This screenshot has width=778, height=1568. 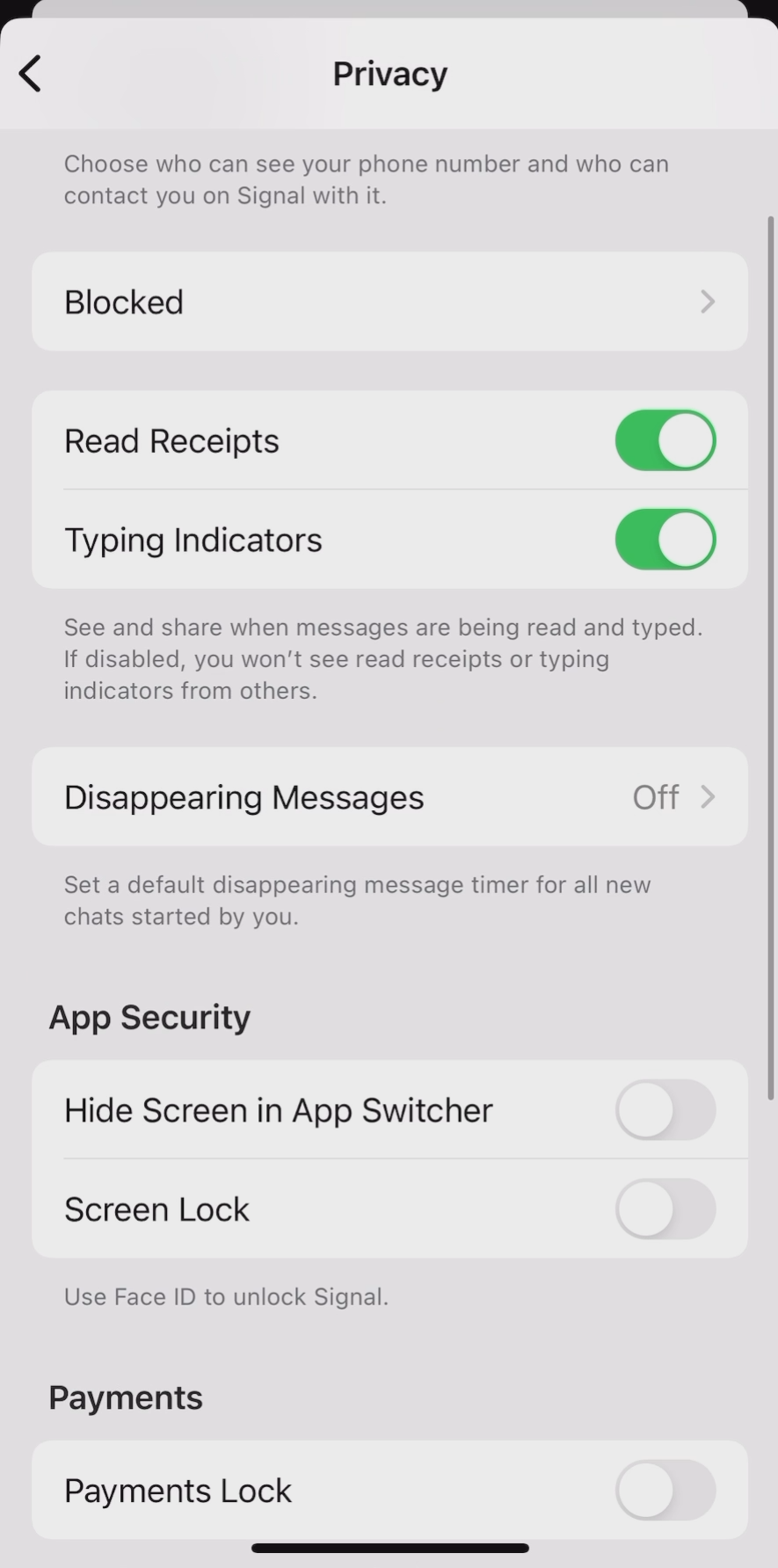 I want to click on informative text, so click(x=367, y=901).